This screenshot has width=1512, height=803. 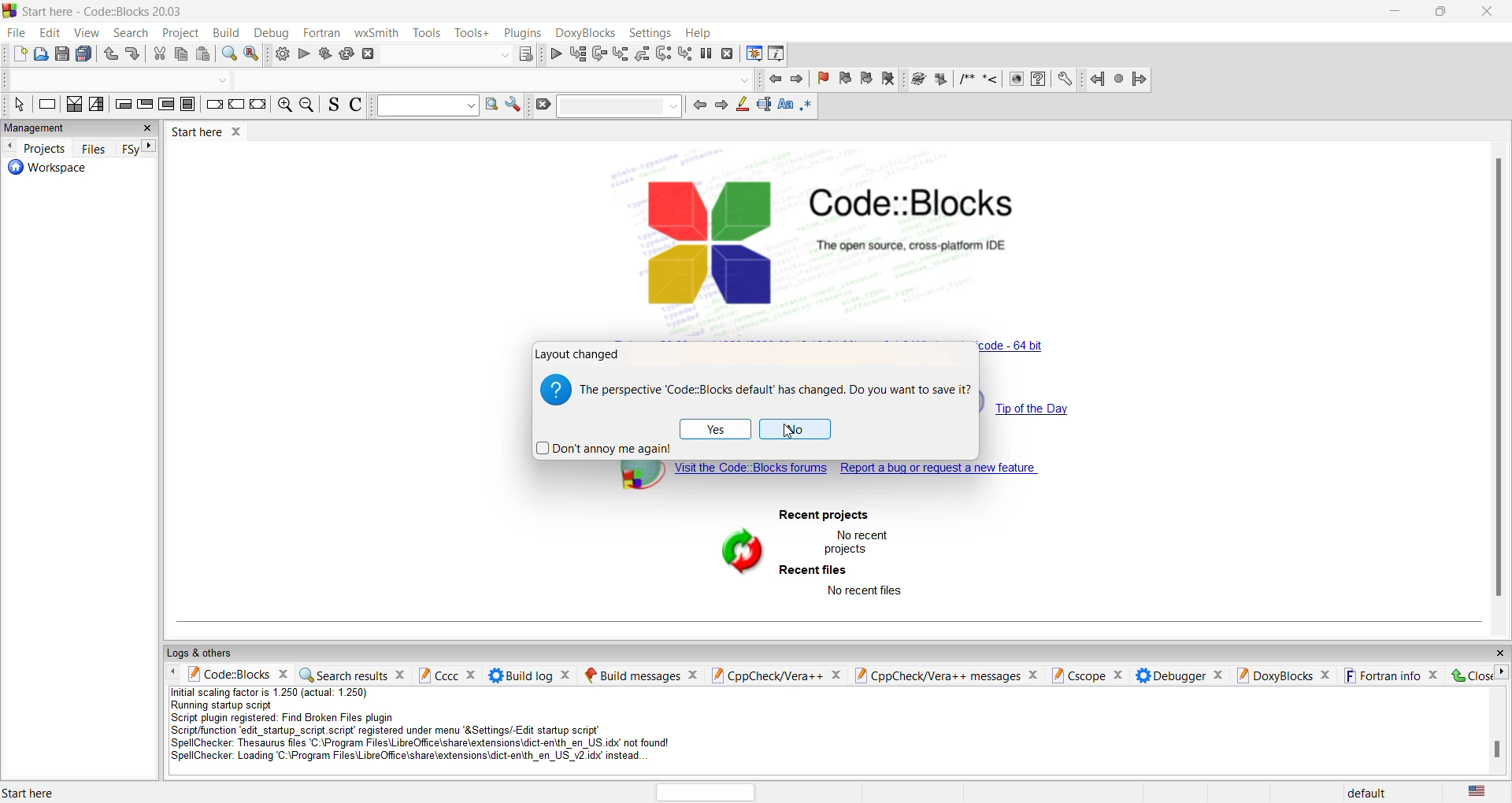 What do you see at coordinates (272, 33) in the screenshot?
I see `debug` at bounding box center [272, 33].